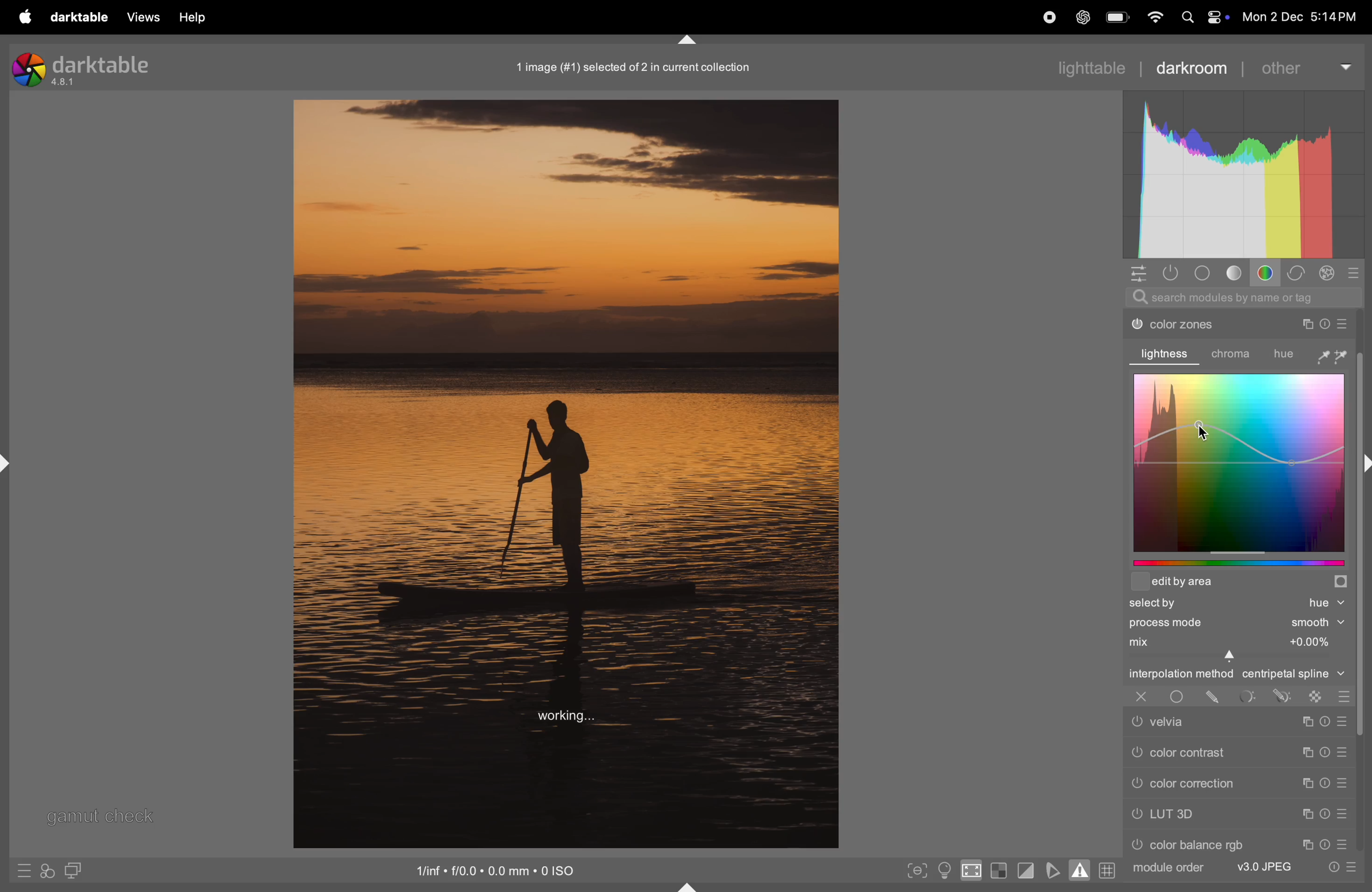 This screenshot has height=892, width=1372. Describe the element at coordinates (944, 870) in the screenshot. I see `toggle clor assment` at that location.